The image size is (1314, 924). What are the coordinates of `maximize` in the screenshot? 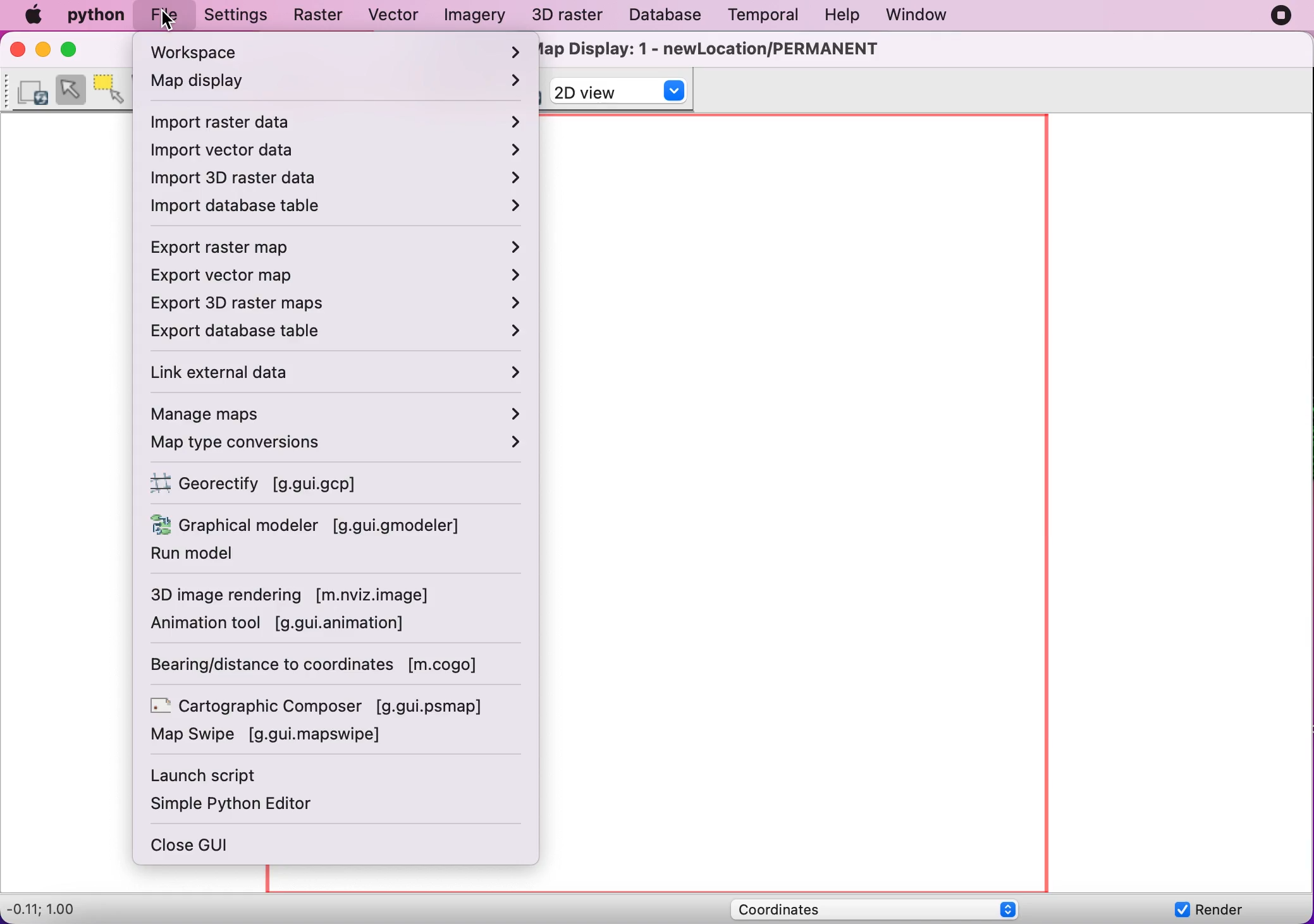 It's located at (71, 51).